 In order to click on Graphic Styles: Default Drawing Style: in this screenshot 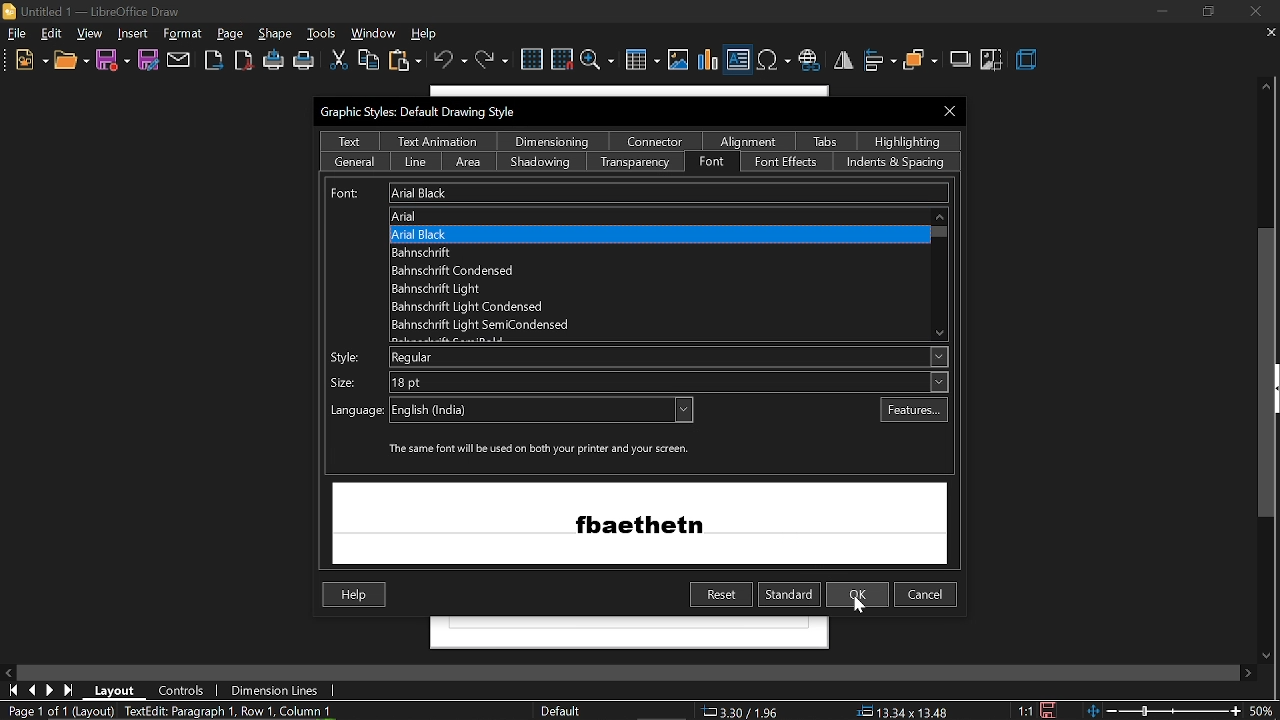, I will do `click(424, 113)`.